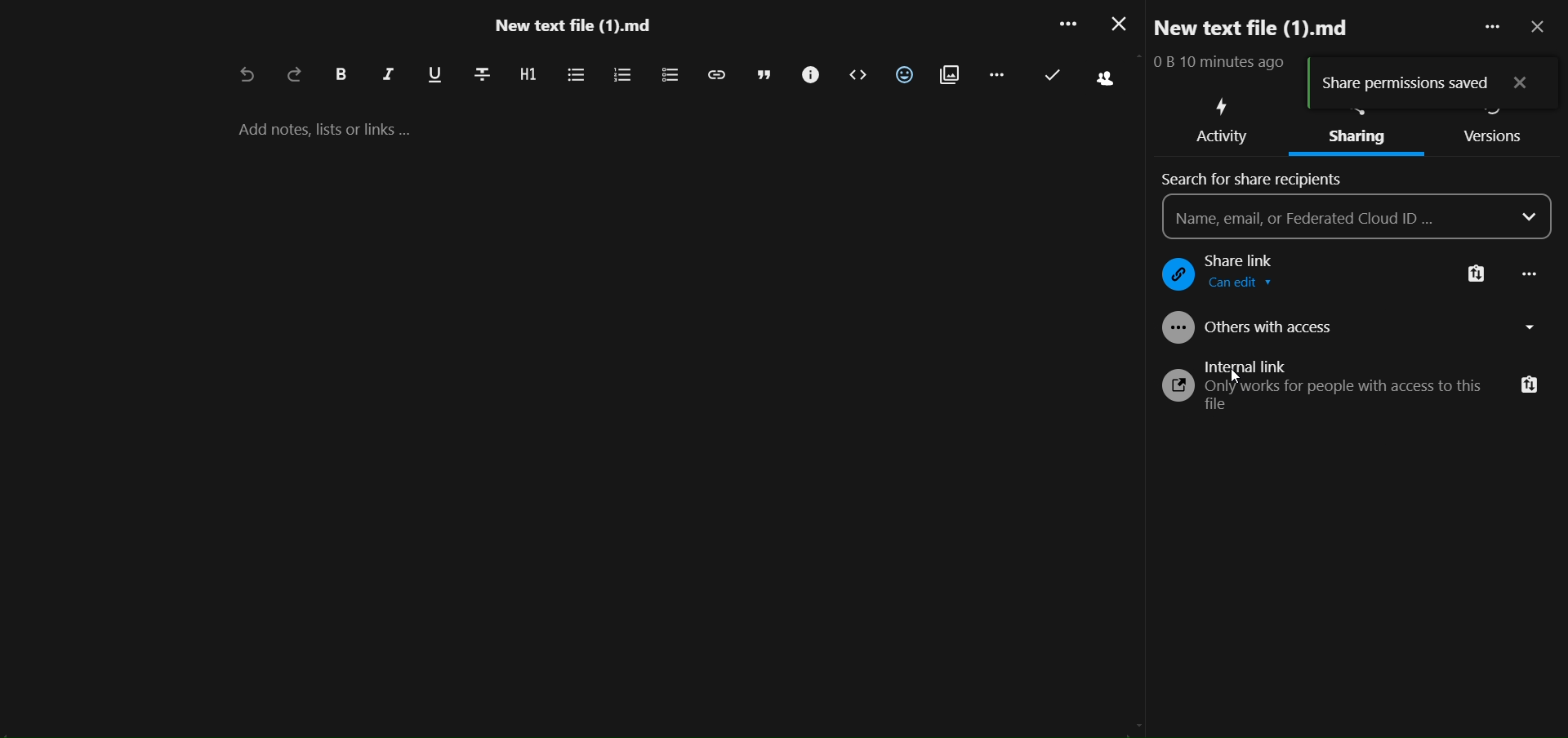 This screenshot has height=738, width=1568. I want to click on text, so click(1228, 64).